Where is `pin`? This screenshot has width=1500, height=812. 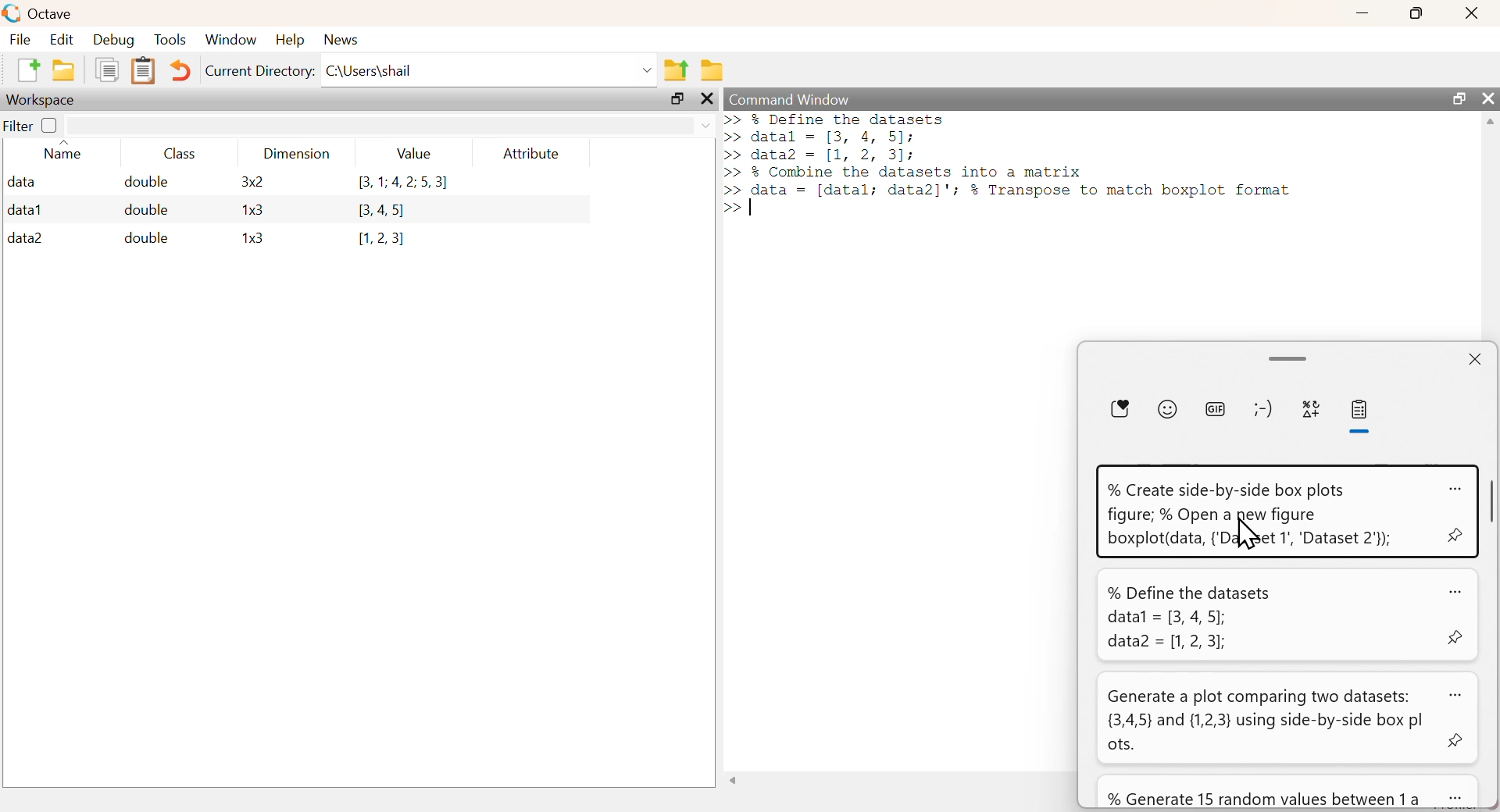 pin is located at coordinates (1455, 639).